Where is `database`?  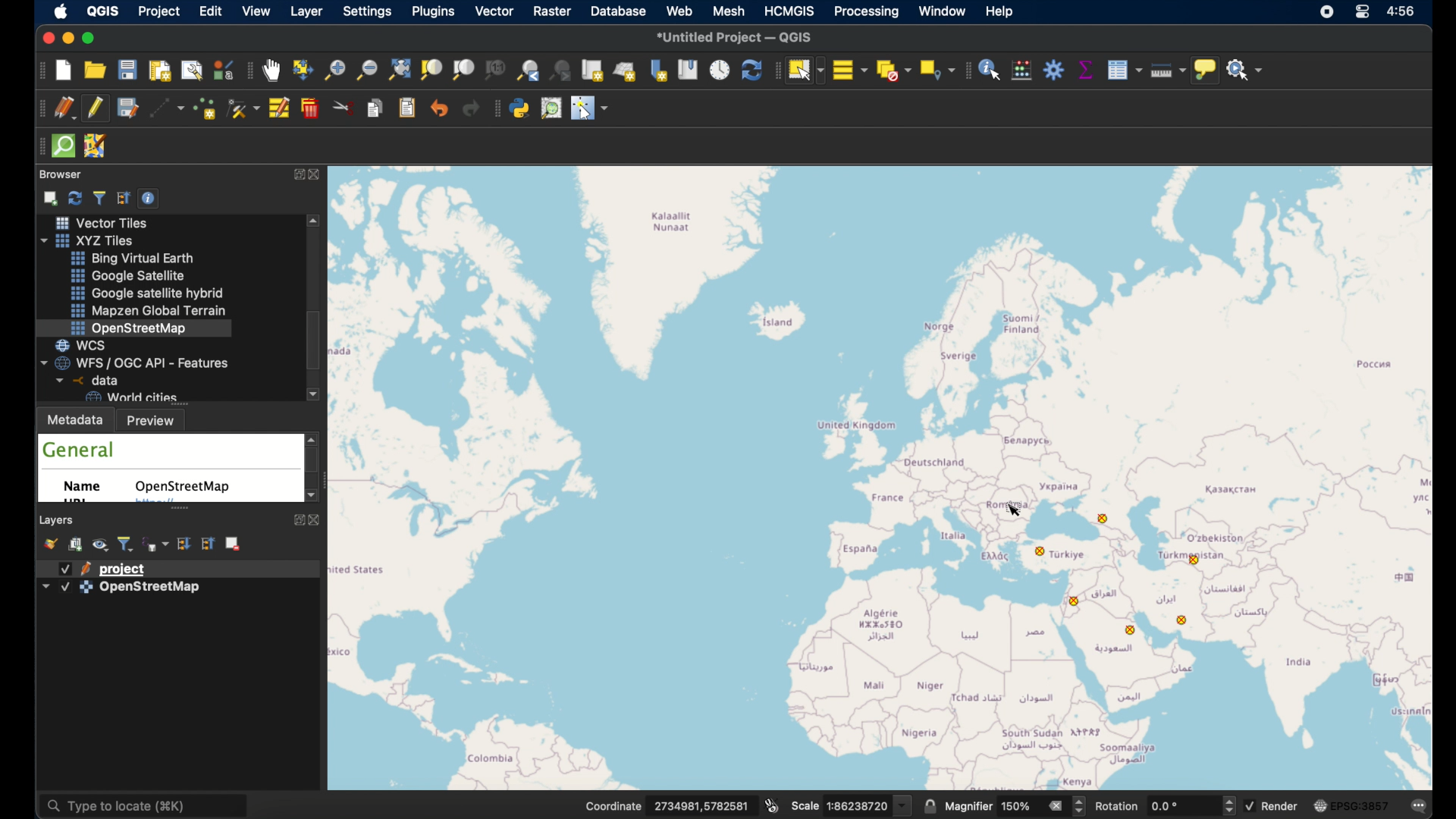 database is located at coordinates (617, 11).